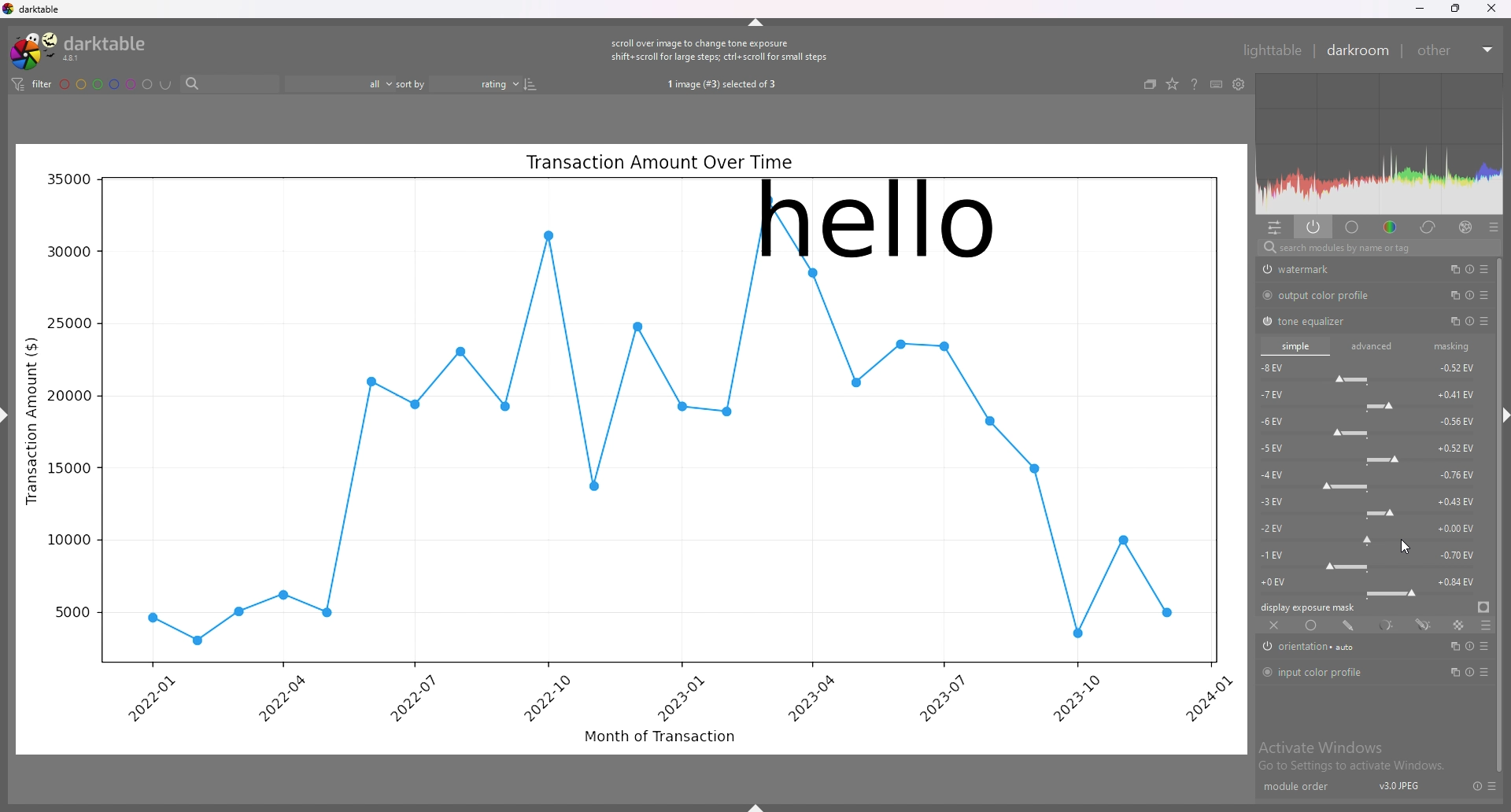 The height and width of the screenshot is (812, 1511). I want to click on collapse grouped images, so click(1150, 84).